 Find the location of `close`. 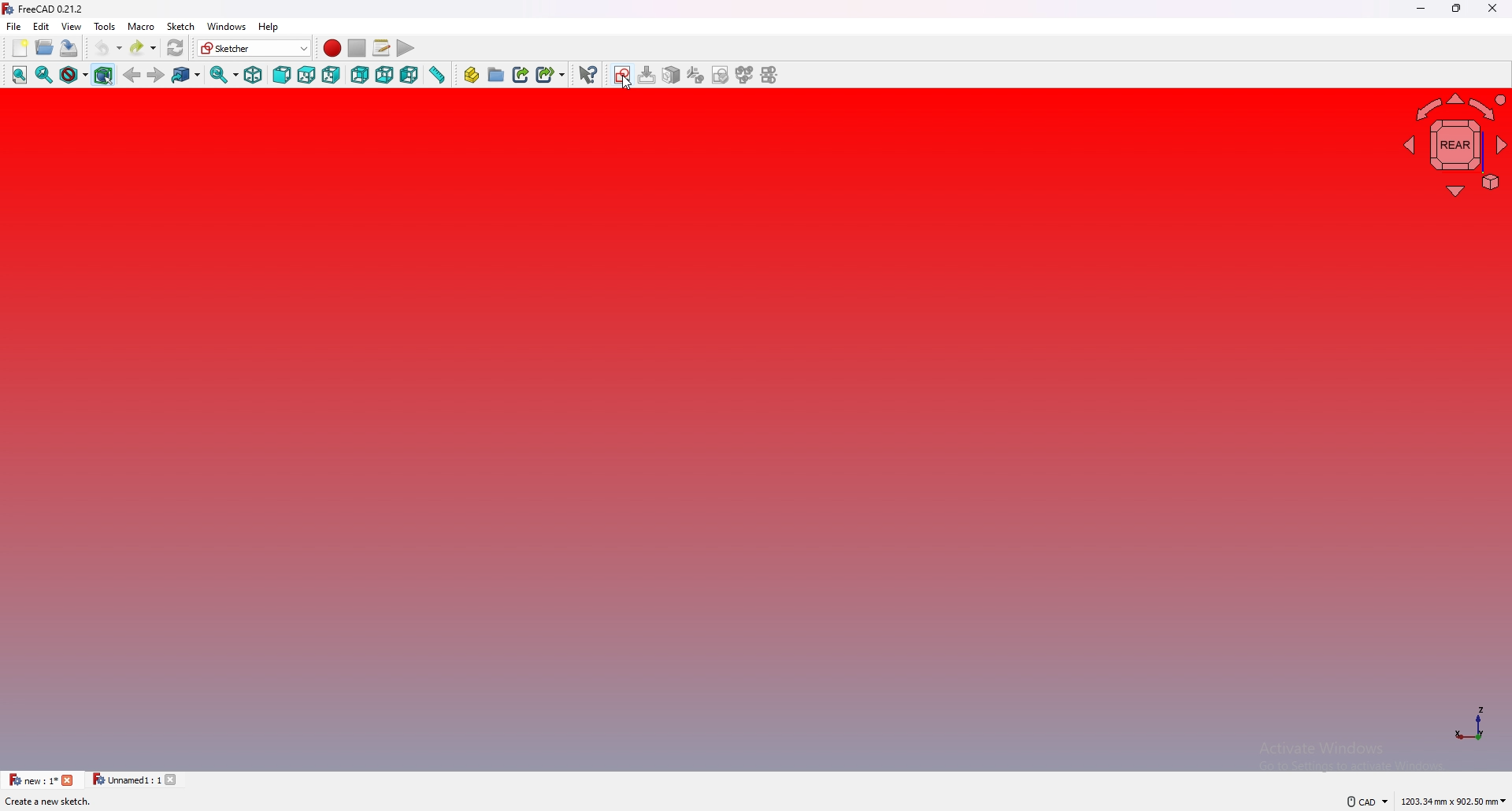

close is located at coordinates (69, 780).